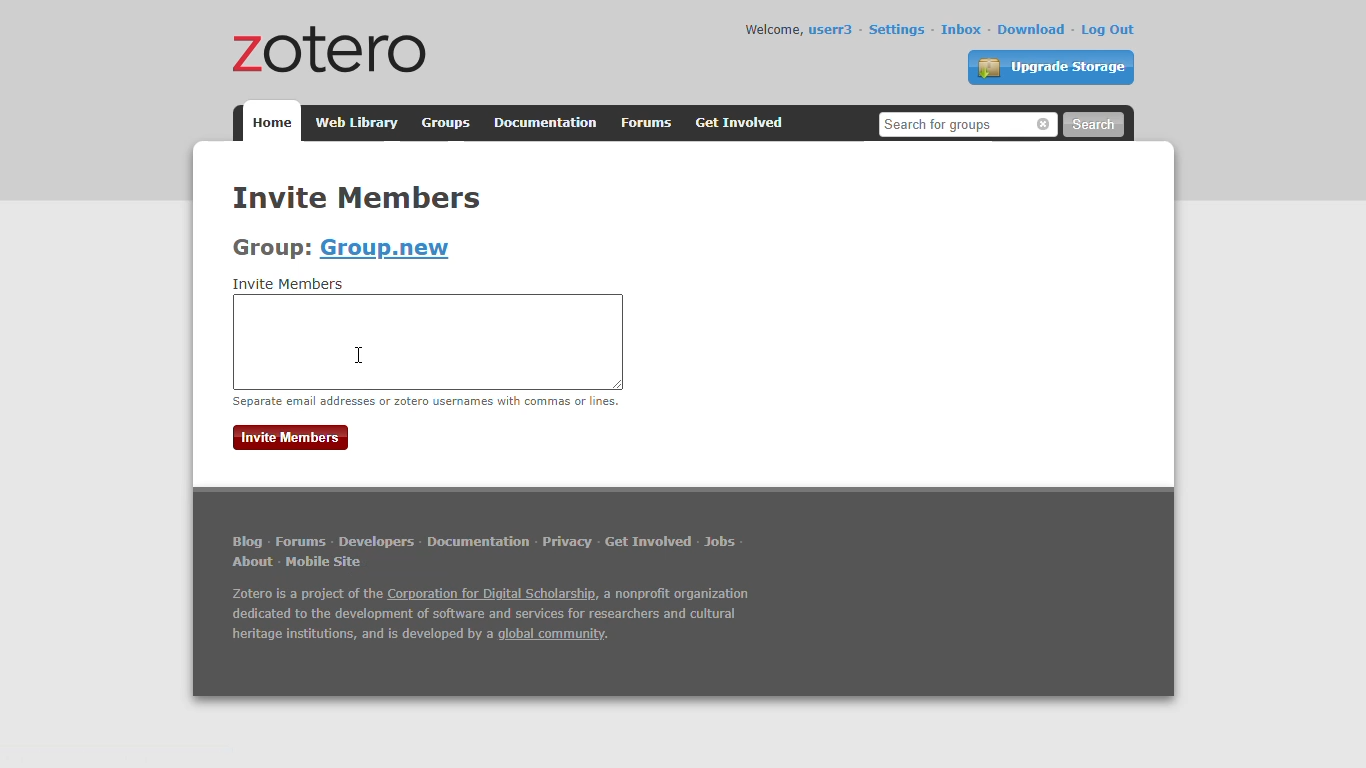  What do you see at coordinates (1032, 29) in the screenshot?
I see `download` at bounding box center [1032, 29].